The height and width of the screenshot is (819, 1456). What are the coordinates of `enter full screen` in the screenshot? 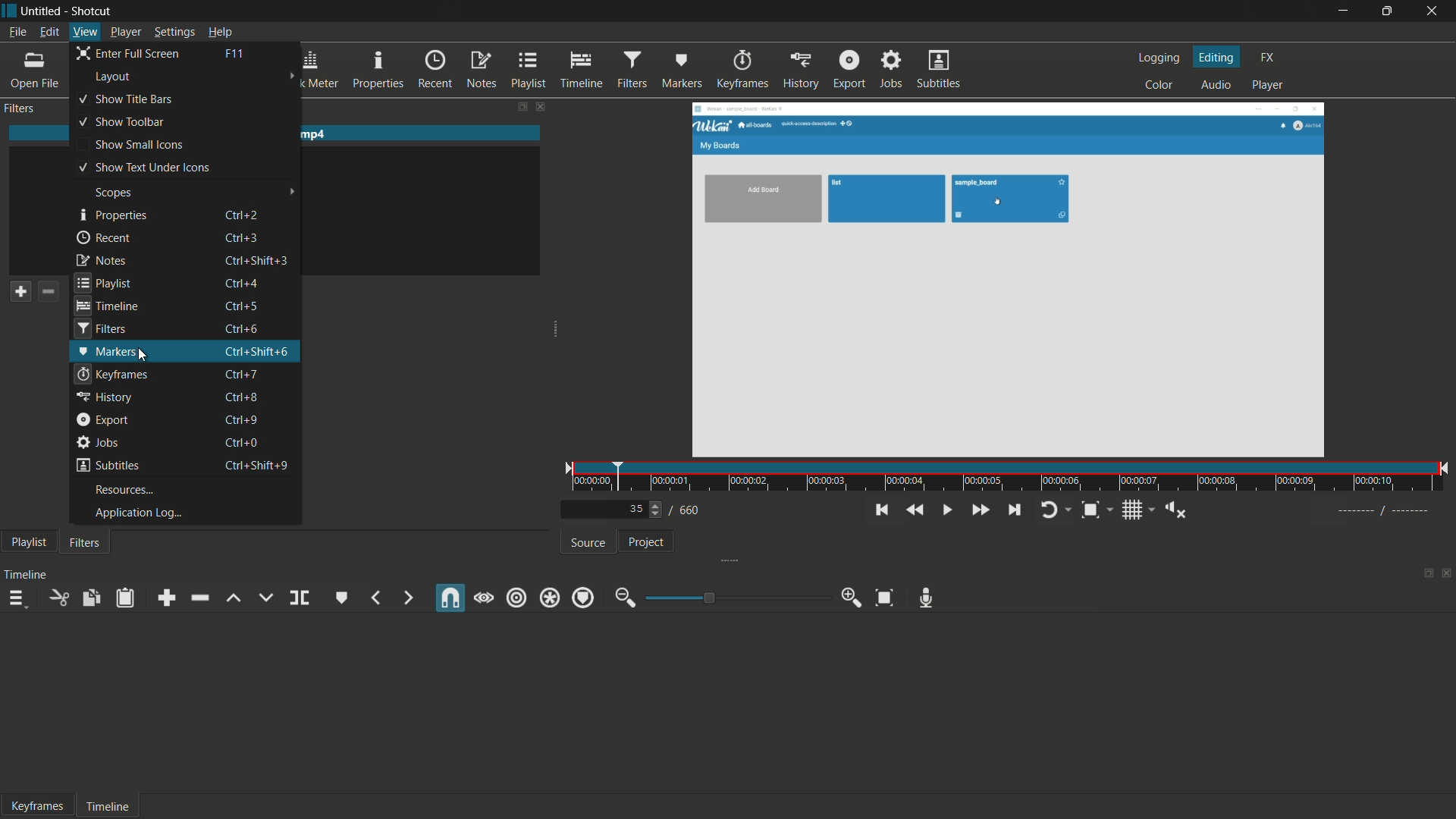 It's located at (126, 53).